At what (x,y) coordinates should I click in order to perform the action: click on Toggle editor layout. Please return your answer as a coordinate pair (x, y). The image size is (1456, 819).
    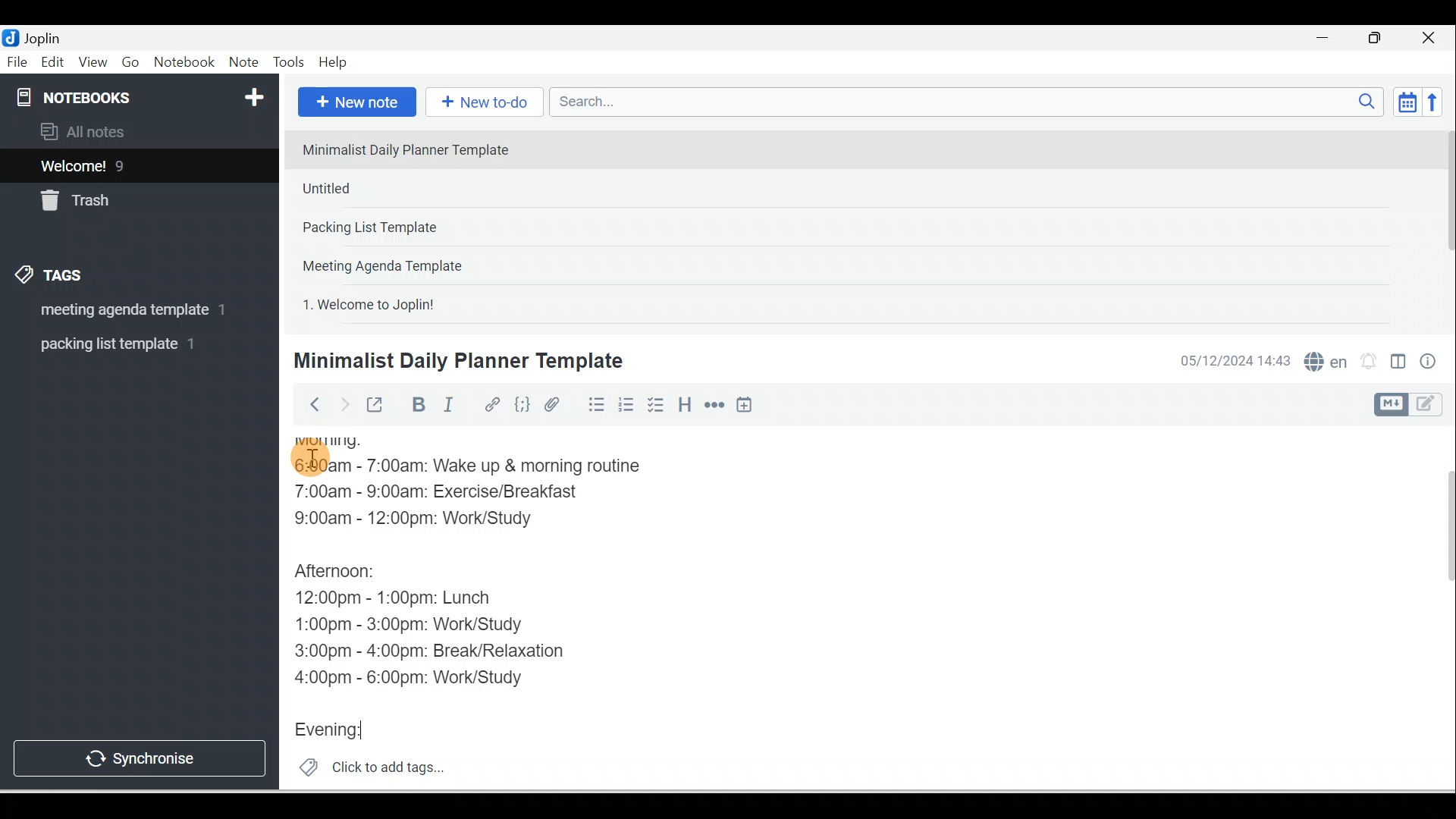
    Looking at the image, I should click on (1414, 405).